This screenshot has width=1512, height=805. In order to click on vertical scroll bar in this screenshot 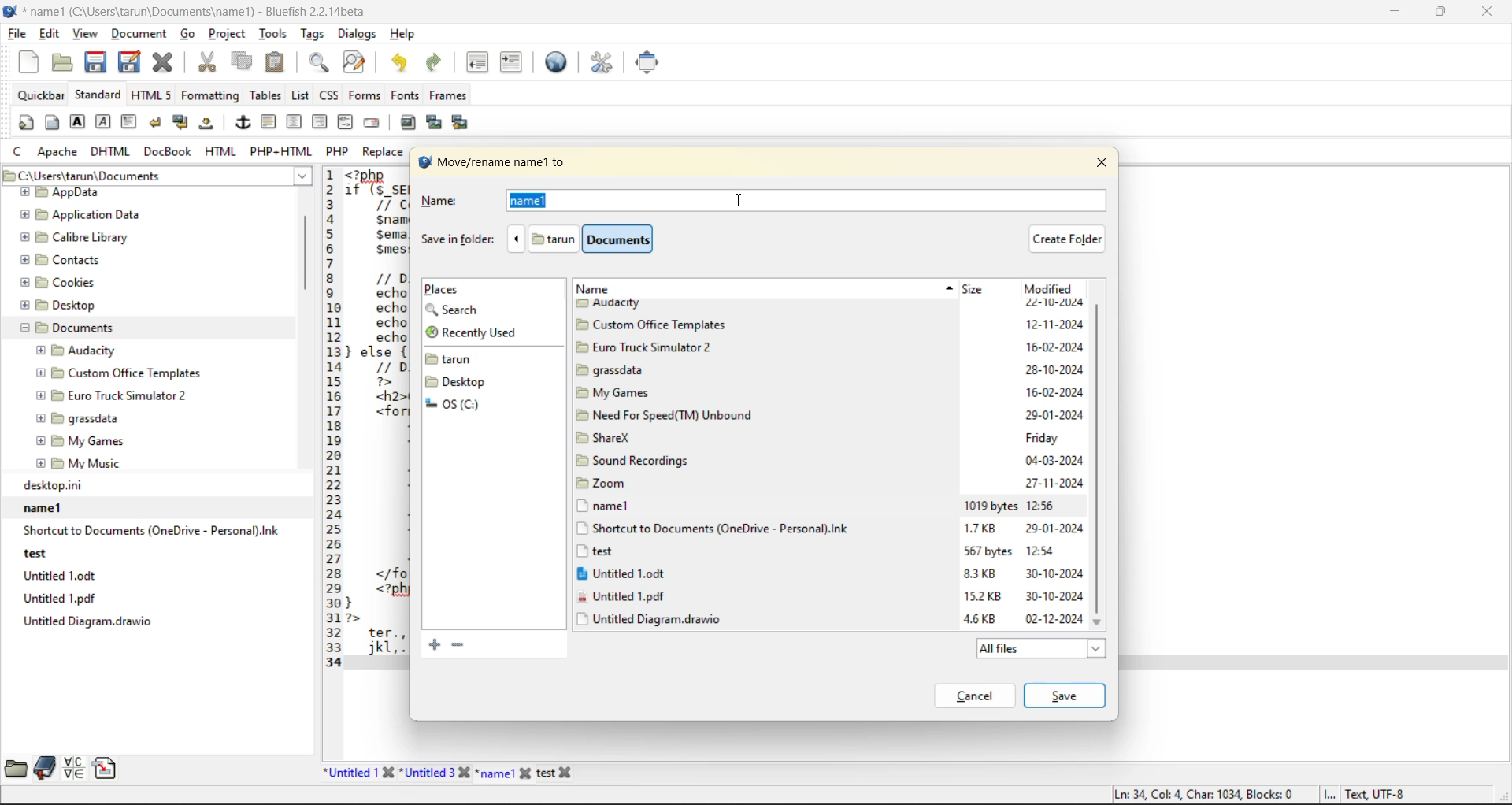, I will do `click(307, 263)`.